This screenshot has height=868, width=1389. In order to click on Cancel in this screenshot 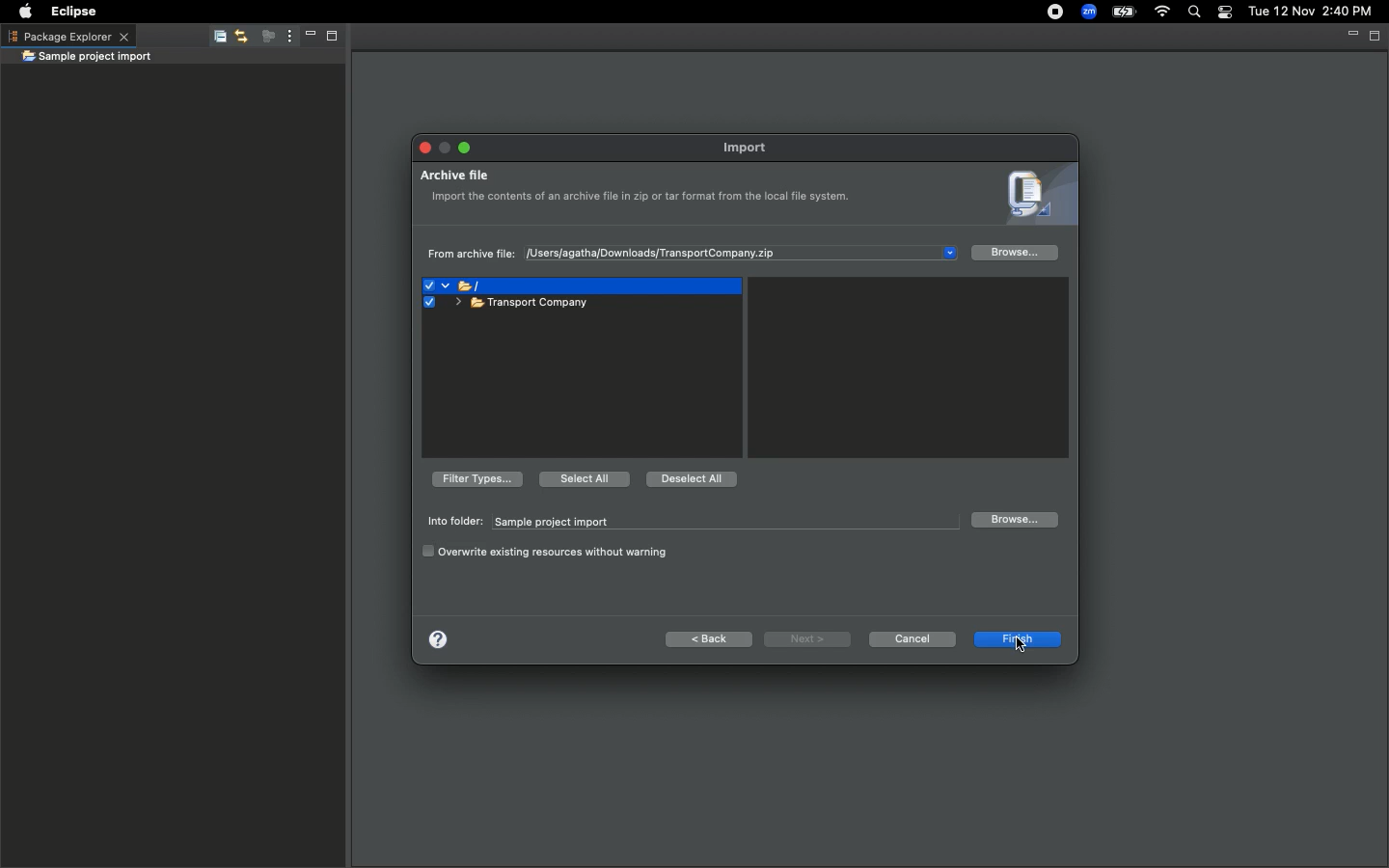, I will do `click(912, 638)`.